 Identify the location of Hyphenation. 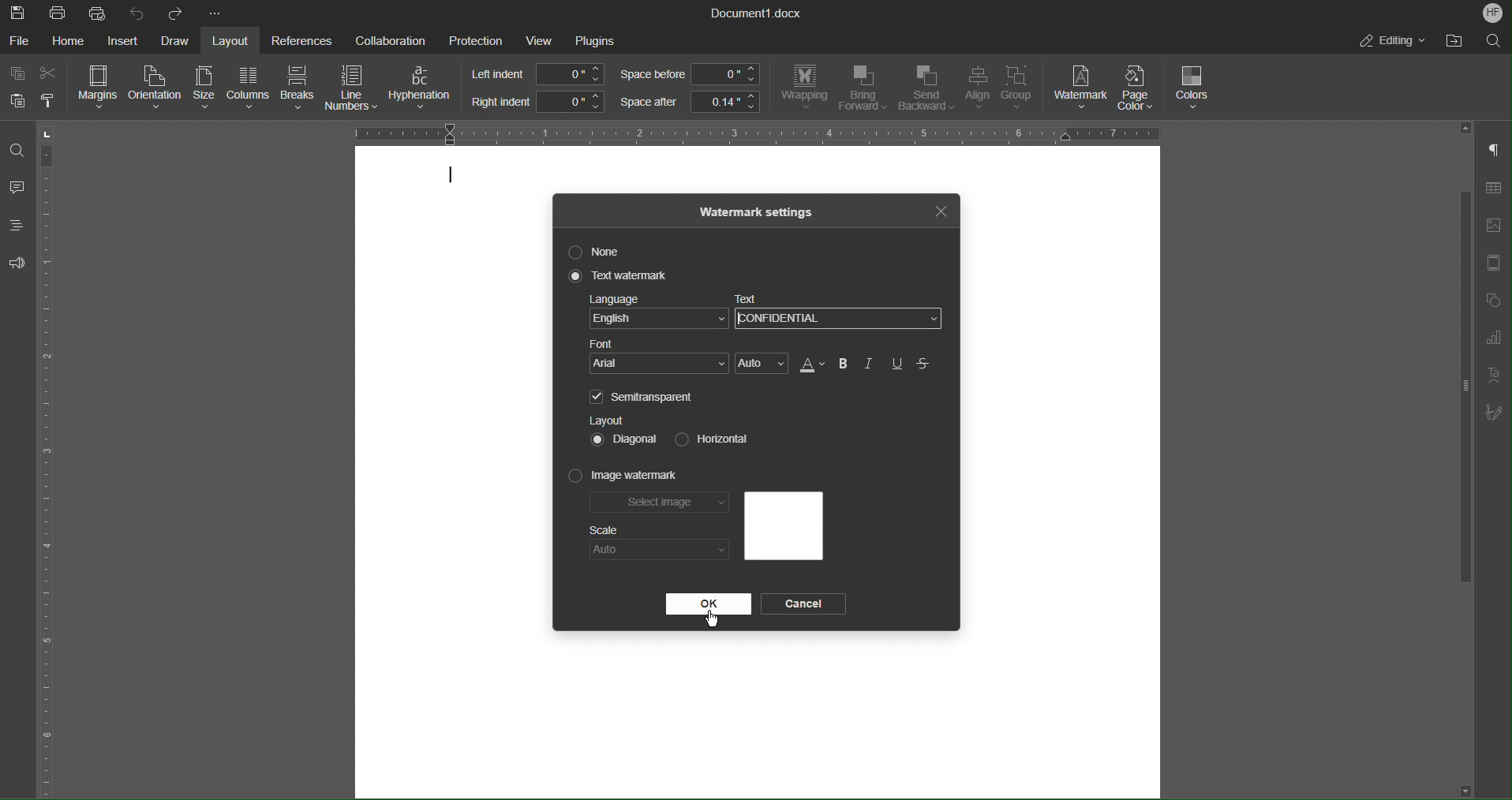
(423, 88).